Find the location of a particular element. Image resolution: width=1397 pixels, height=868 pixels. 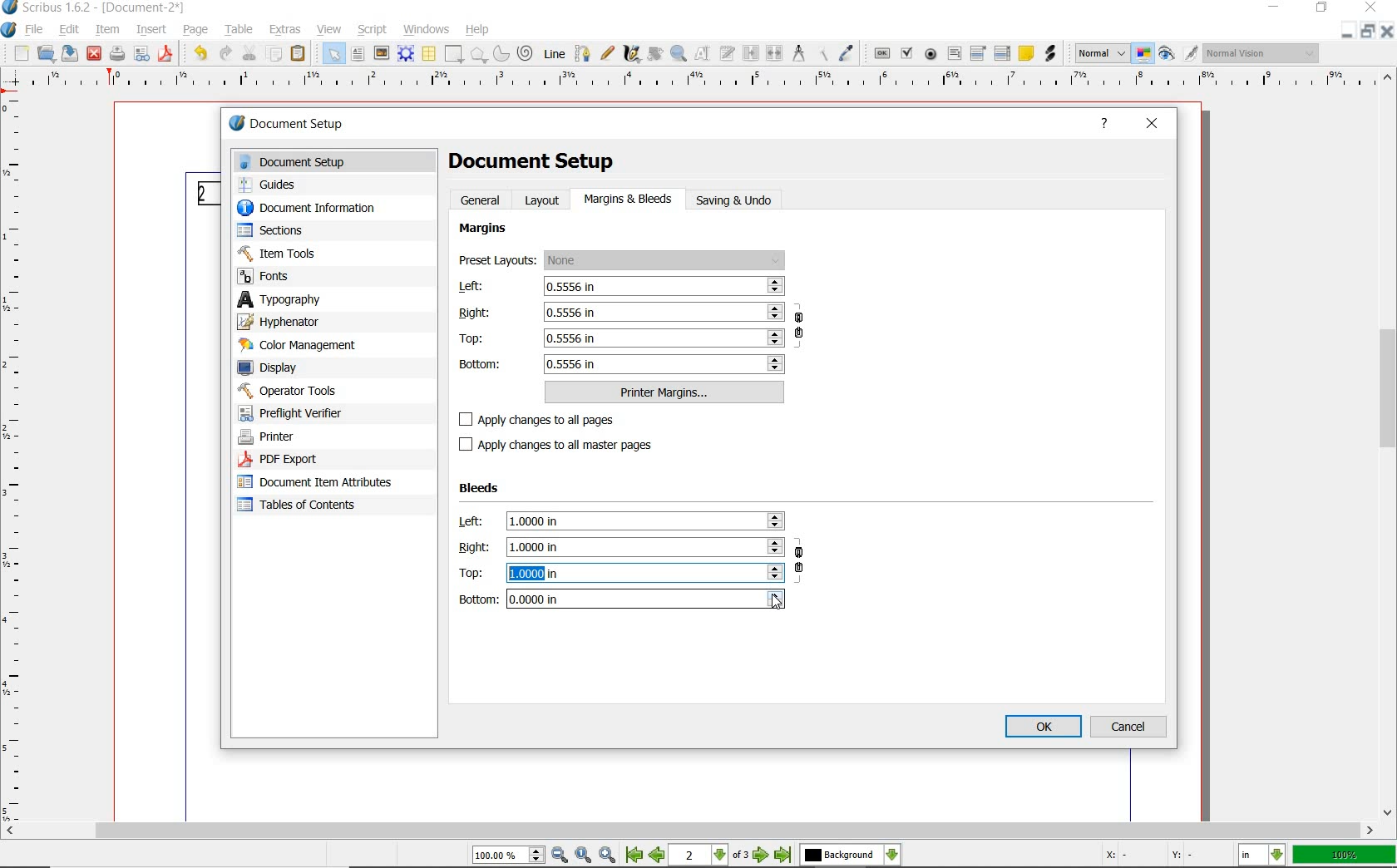

extras is located at coordinates (285, 30).